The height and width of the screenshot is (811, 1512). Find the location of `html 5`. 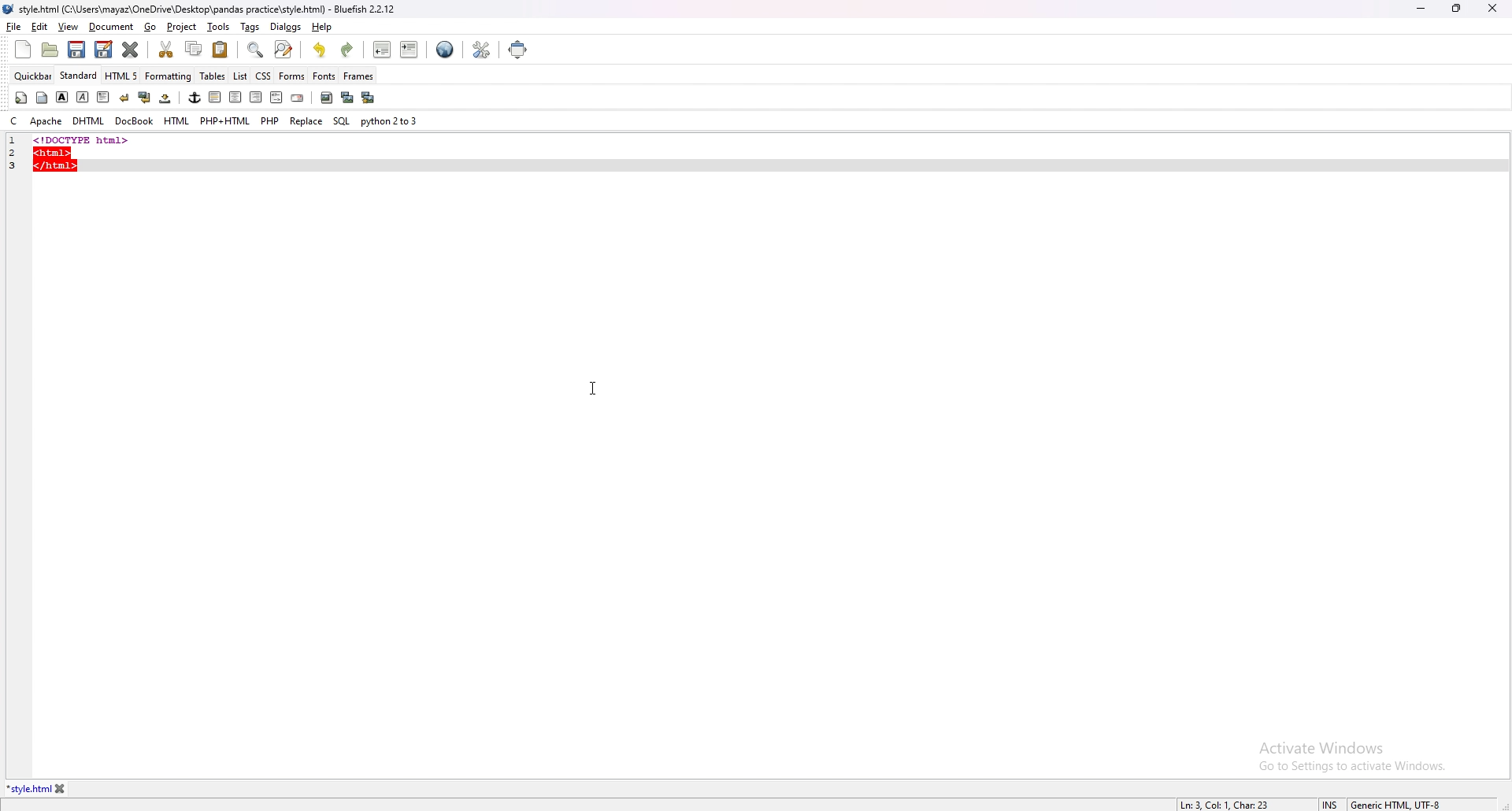

html 5 is located at coordinates (123, 76).